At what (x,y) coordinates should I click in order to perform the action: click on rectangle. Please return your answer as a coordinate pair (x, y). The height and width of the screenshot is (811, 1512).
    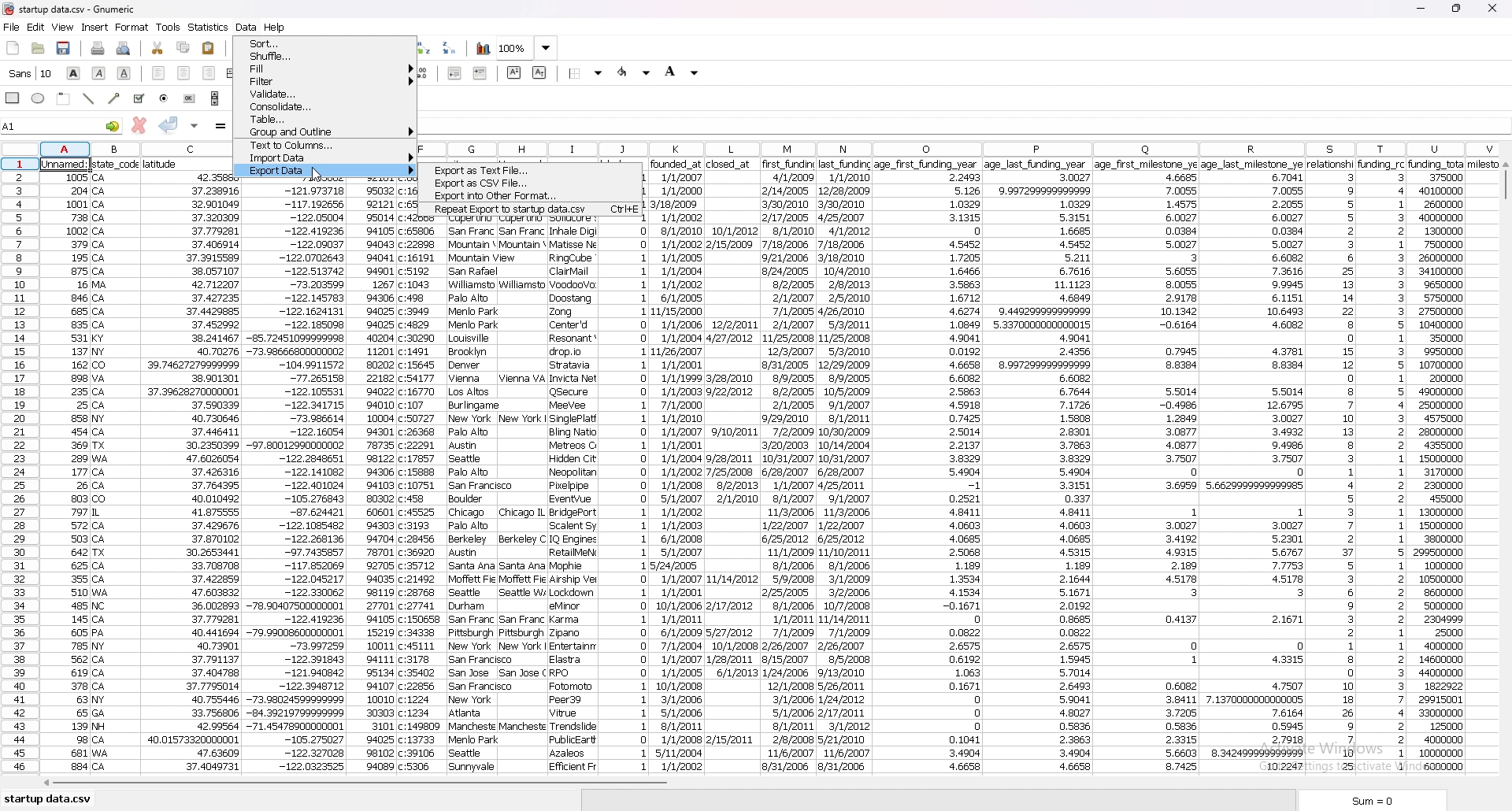
    Looking at the image, I should click on (14, 97).